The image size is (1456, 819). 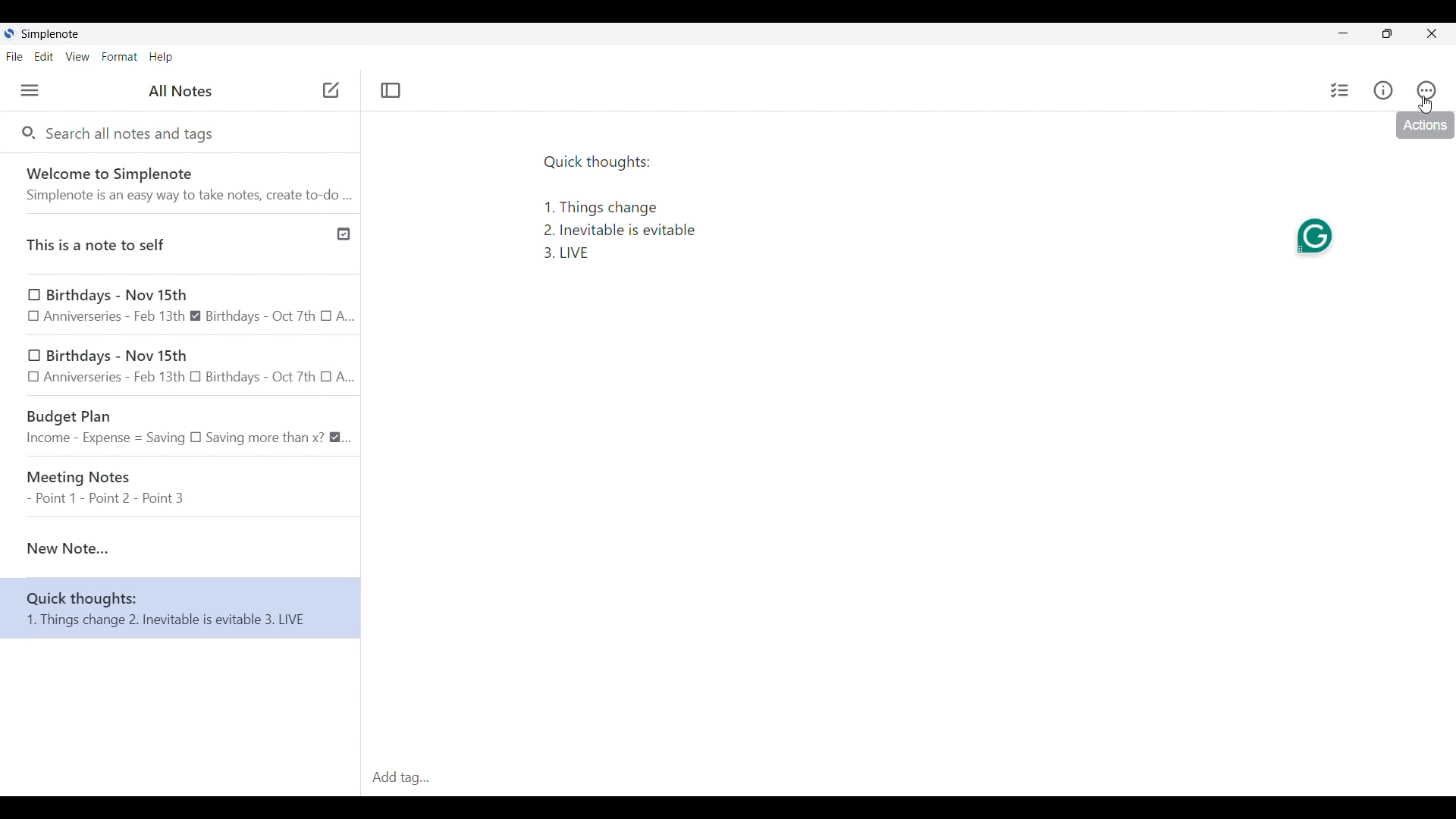 What do you see at coordinates (180, 543) in the screenshot?
I see `Current note highlighted` at bounding box center [180, 543].